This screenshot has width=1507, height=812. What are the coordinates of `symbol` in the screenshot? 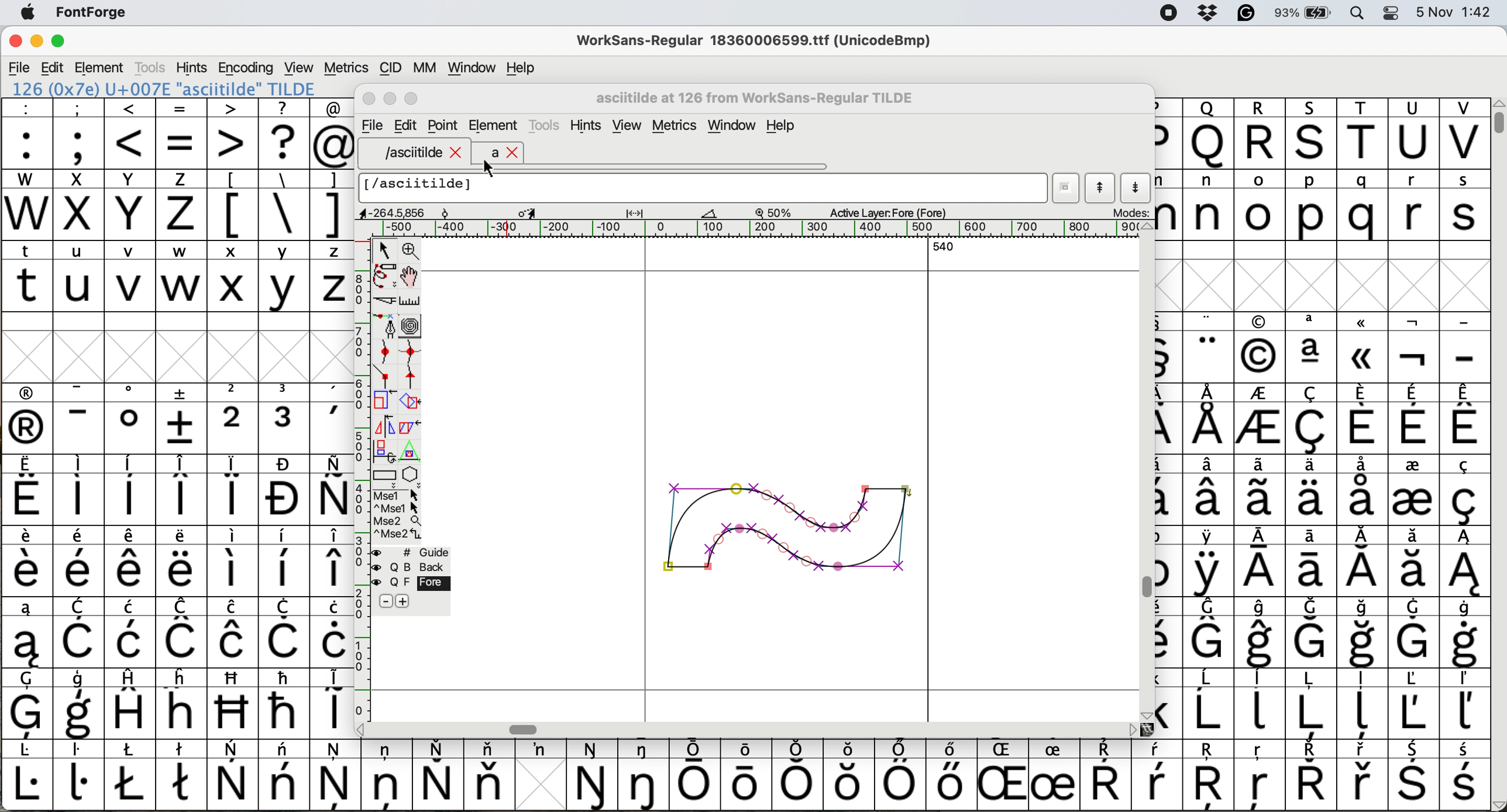 It's located at (1364, 488).